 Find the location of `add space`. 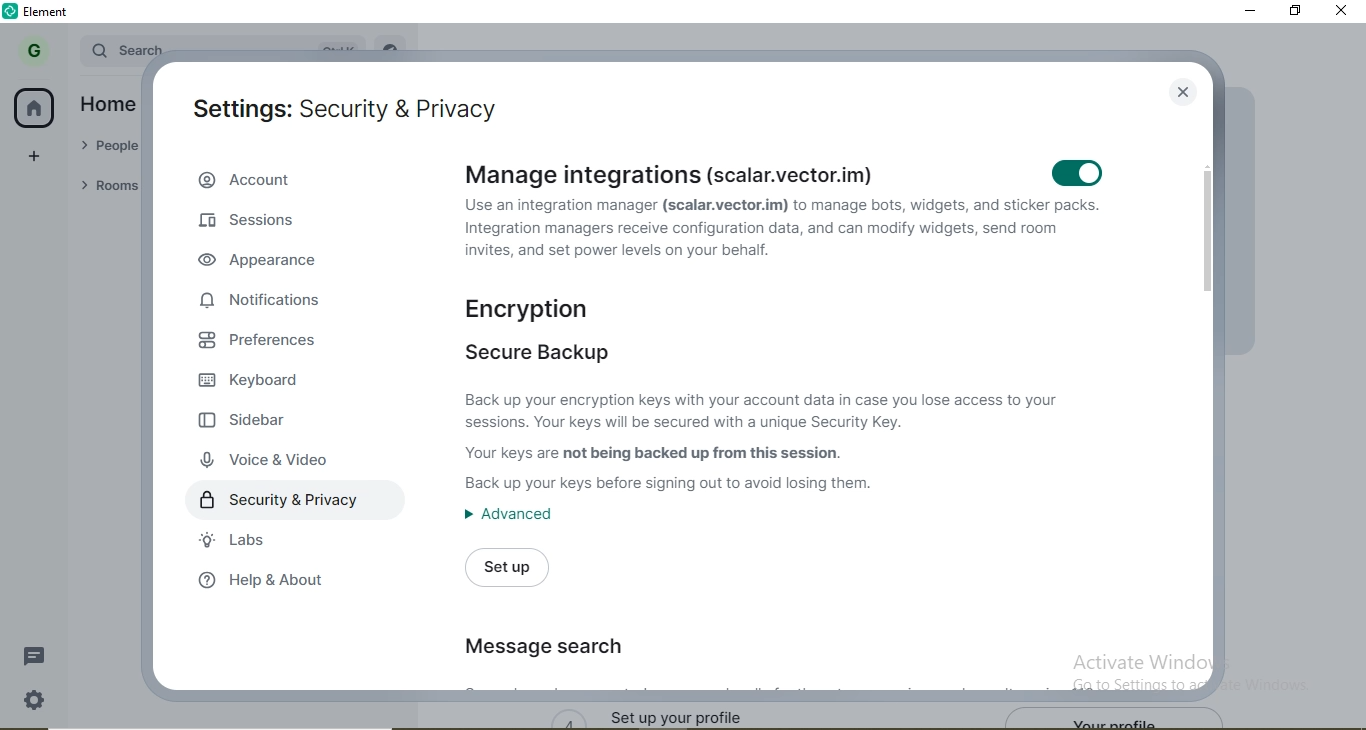

add space is located at coordinates (35, 161).